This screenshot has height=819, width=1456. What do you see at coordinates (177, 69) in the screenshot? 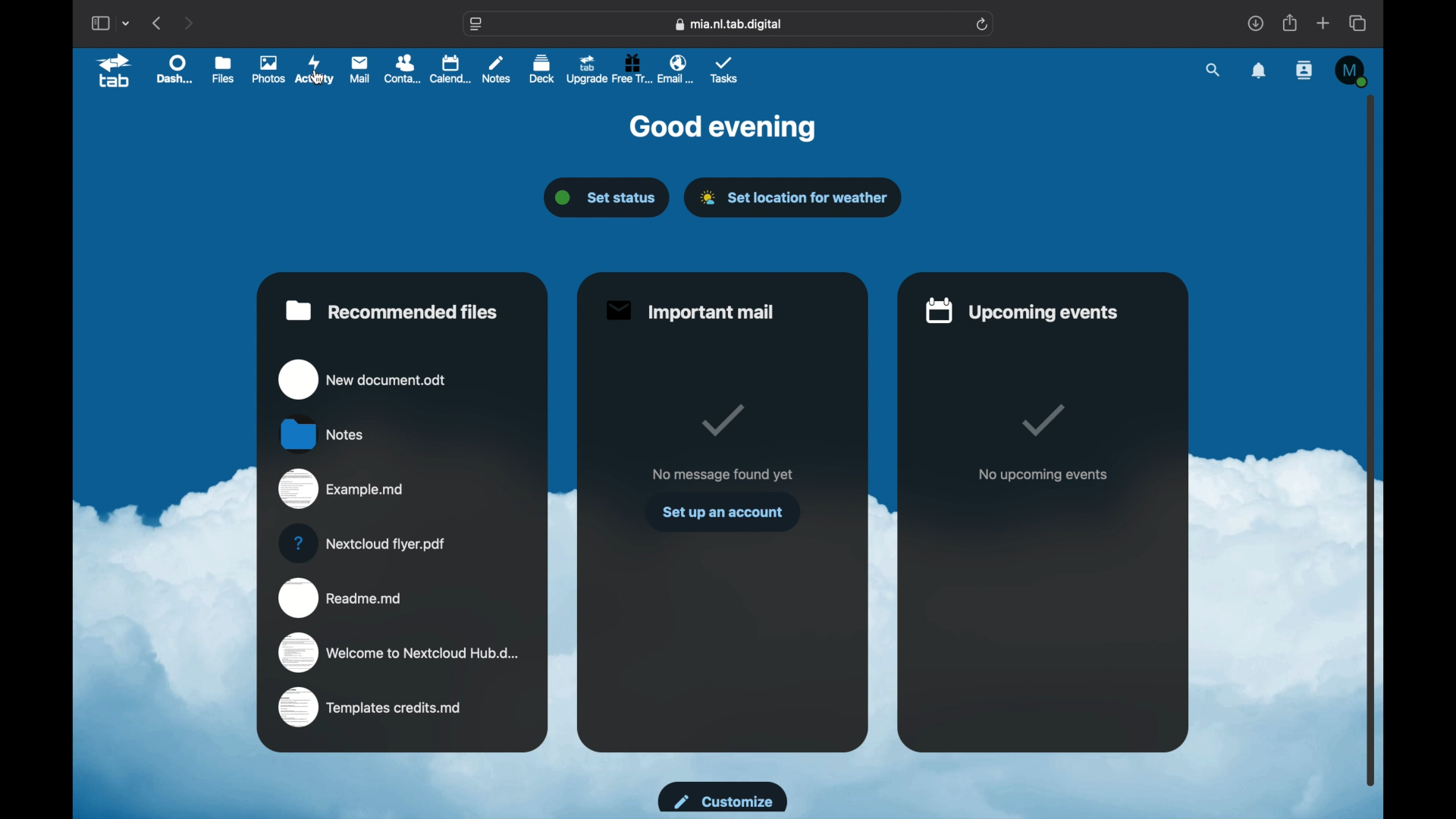
I see `dashboard` at bounding box center [177, 69].